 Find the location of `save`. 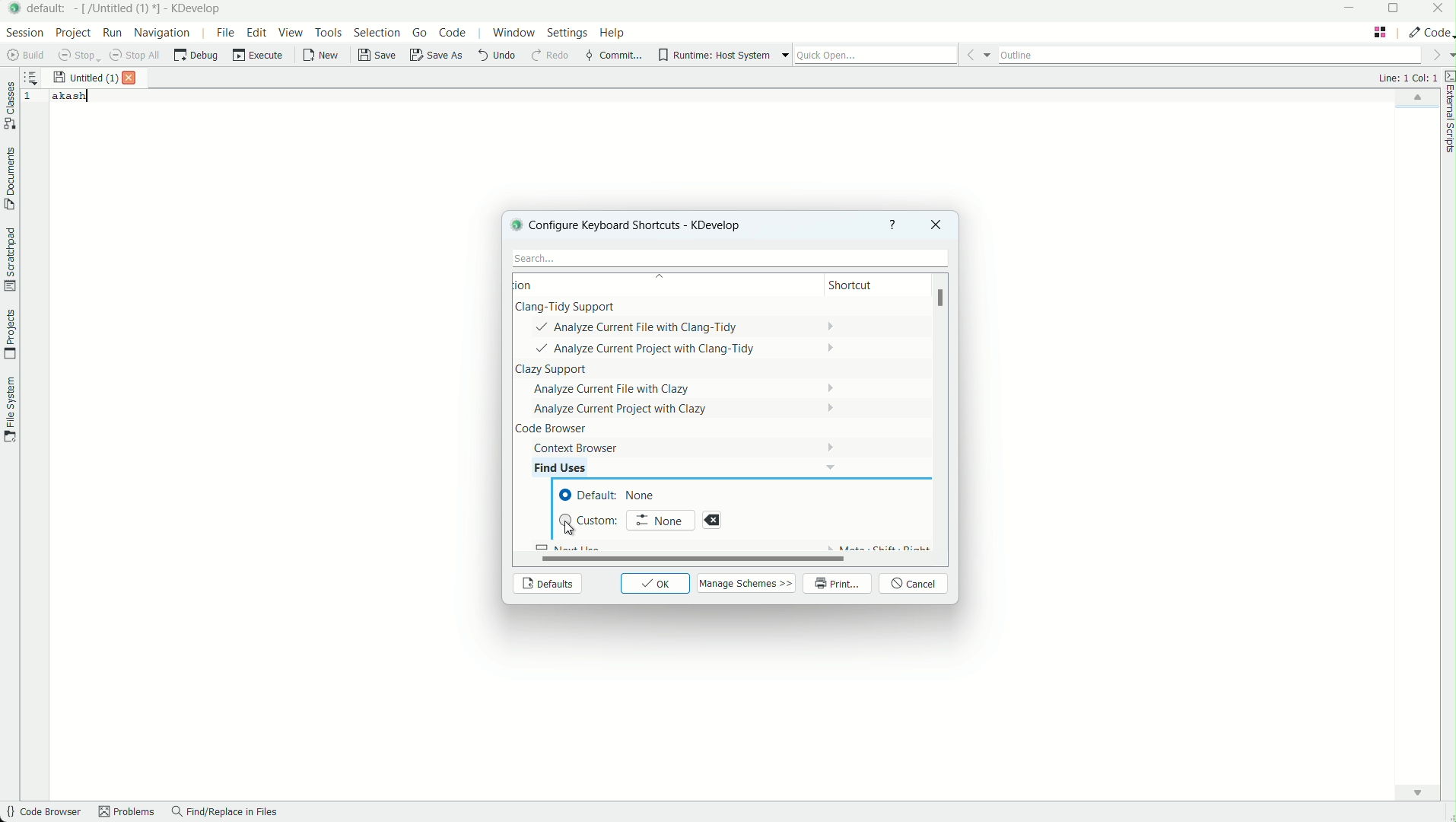

save is located at coordinates (378, 56).